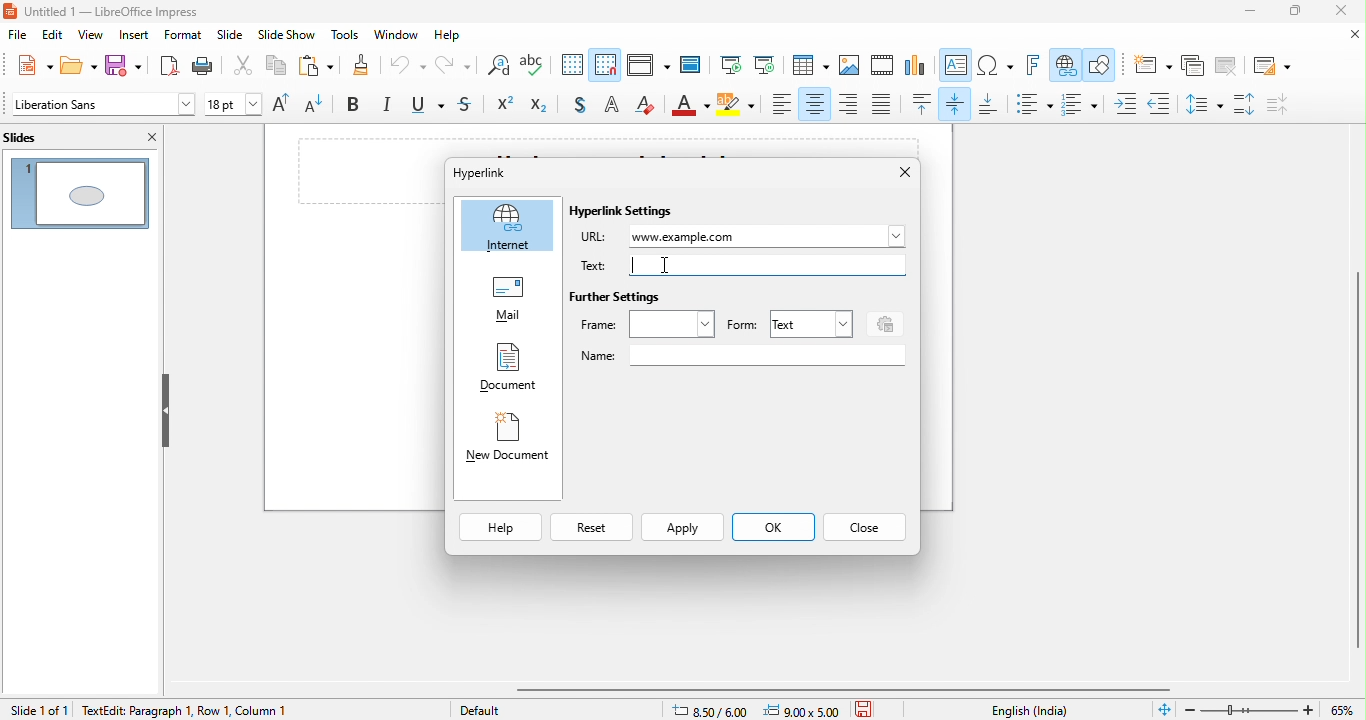  Describe the element at coordinates (670, 264) in the screenshot. I see `cursor movement` at that location.